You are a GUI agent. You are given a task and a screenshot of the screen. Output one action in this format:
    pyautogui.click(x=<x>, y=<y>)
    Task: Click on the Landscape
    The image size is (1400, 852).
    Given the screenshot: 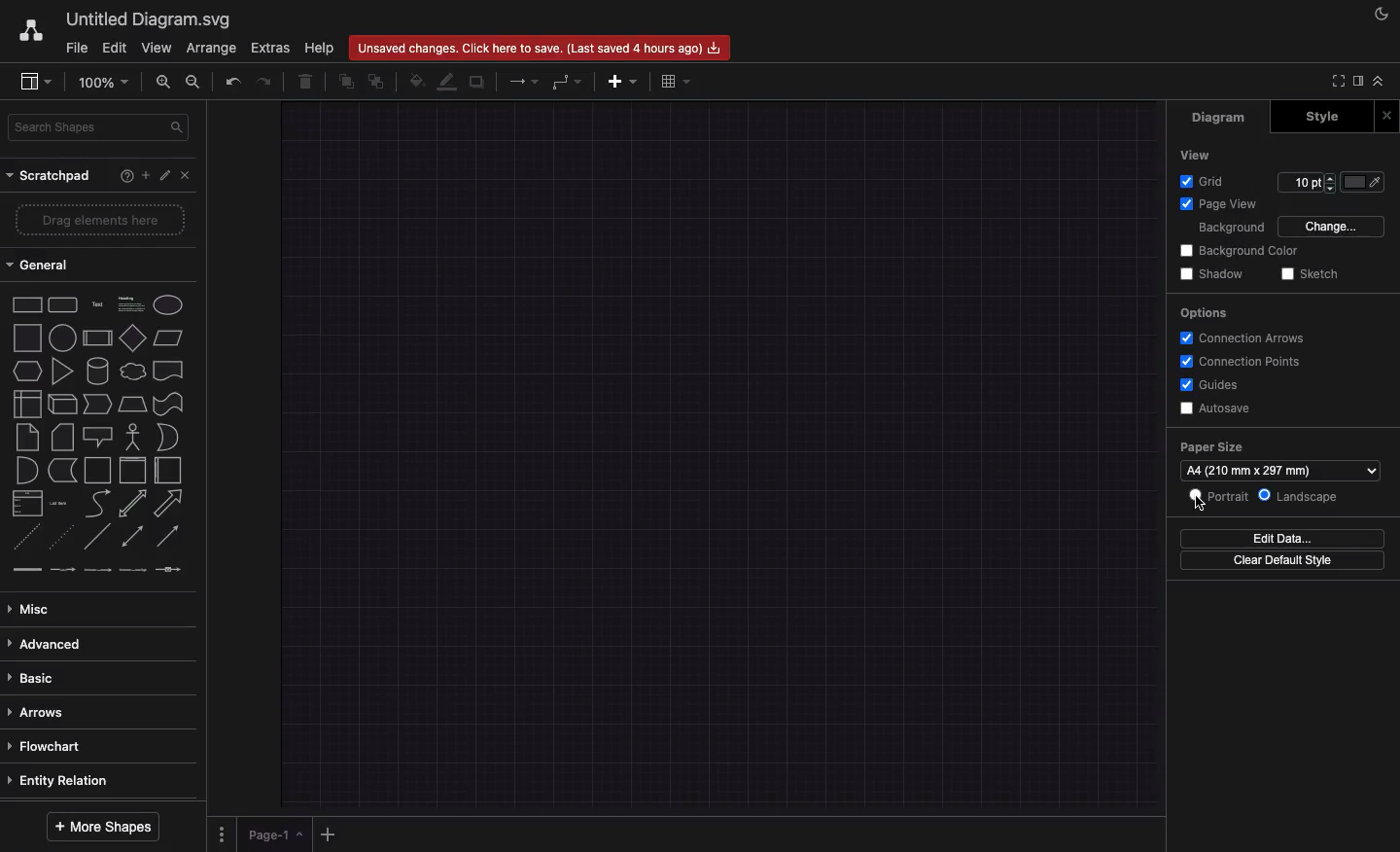 What is the action you would take?
    pyautogui.click(x=718, y=460)
    